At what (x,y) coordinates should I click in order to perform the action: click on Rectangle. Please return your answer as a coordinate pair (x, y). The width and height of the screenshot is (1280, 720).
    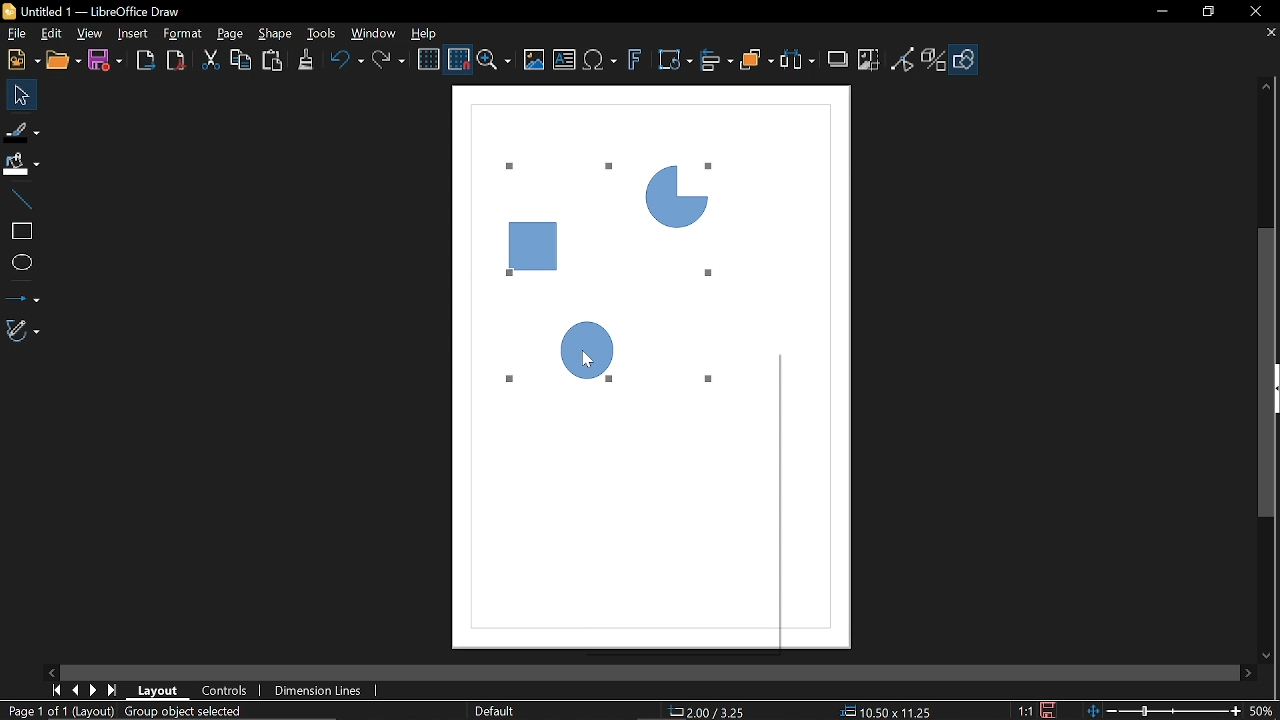
    Looking at the image, I should click on (20, 229).